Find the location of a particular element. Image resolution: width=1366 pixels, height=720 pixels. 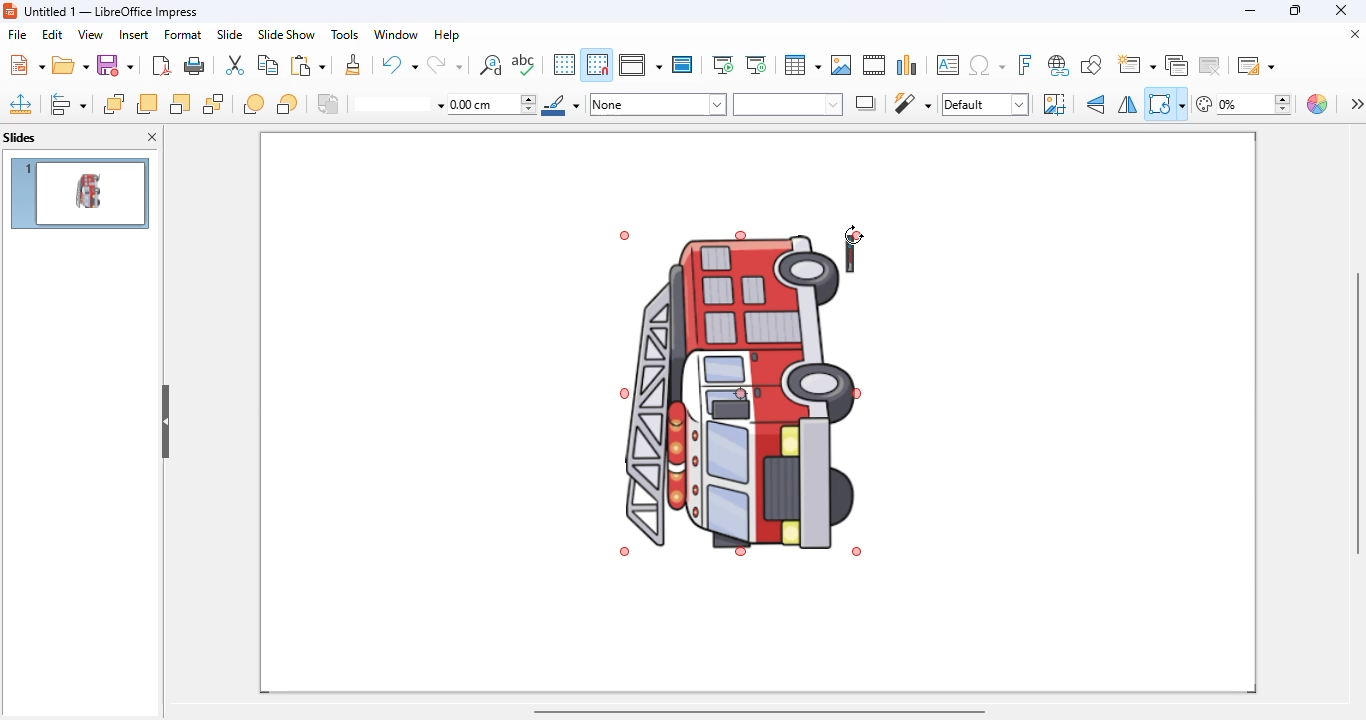

insert image is located at coordinates (841, 65).